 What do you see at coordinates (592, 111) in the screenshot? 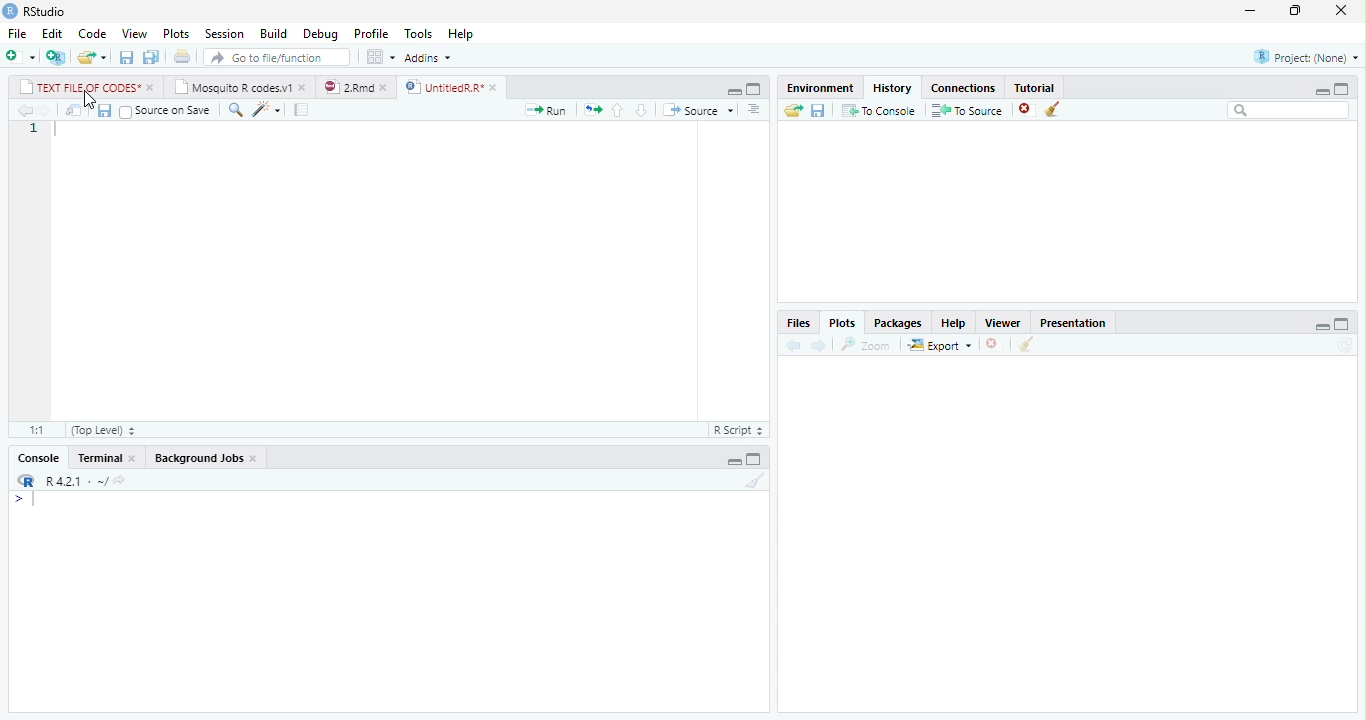
I see `rerun` at bounding box center [592, 111].